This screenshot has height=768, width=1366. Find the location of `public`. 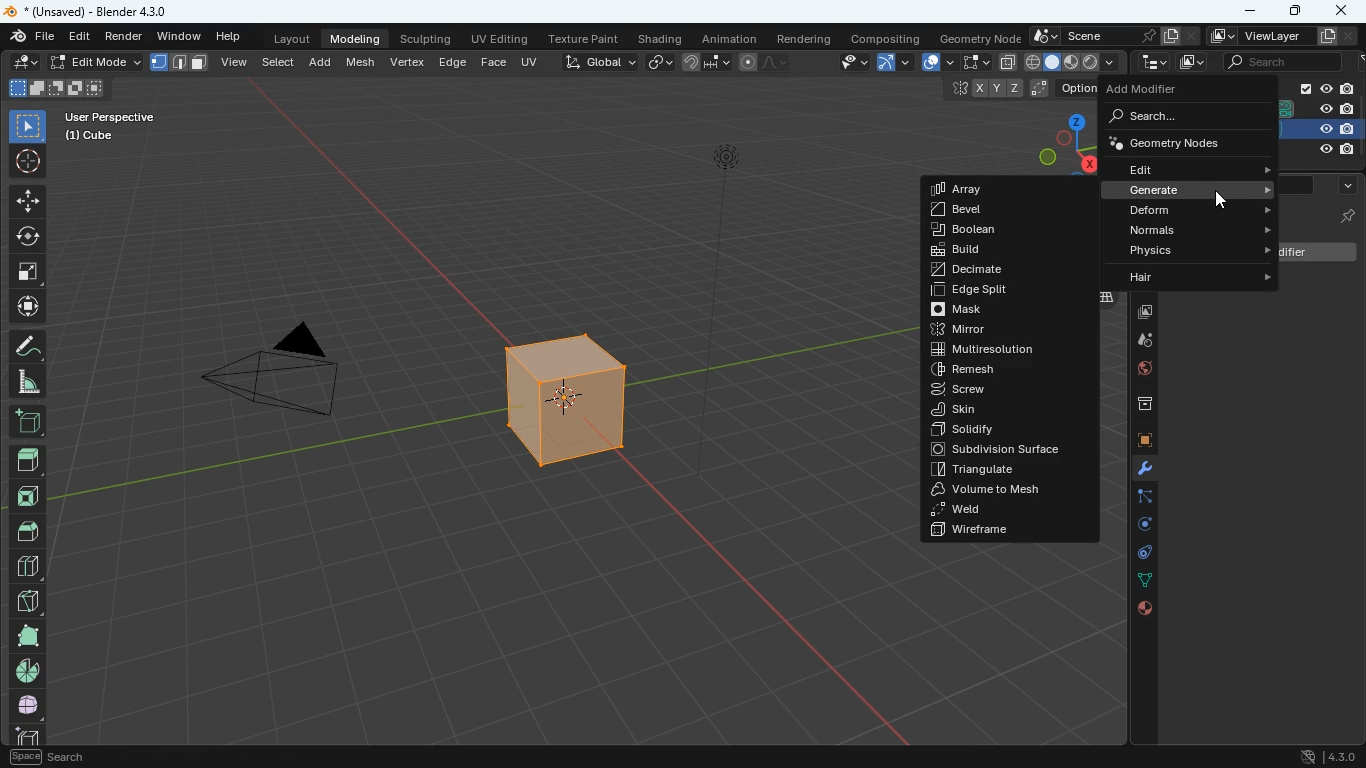

public is located at coordinates (1146, 611).